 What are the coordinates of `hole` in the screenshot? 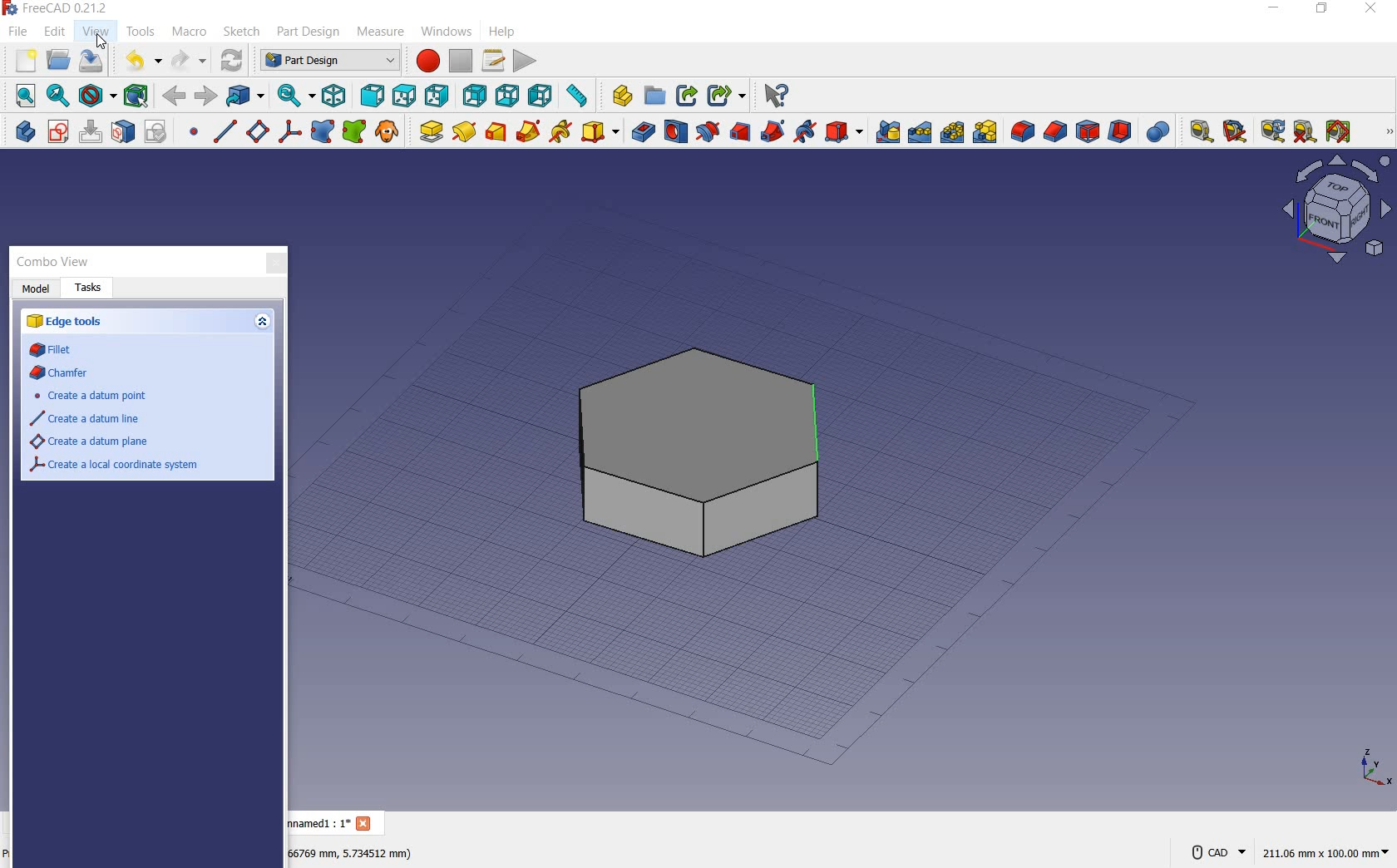 It's located at (674, 131).